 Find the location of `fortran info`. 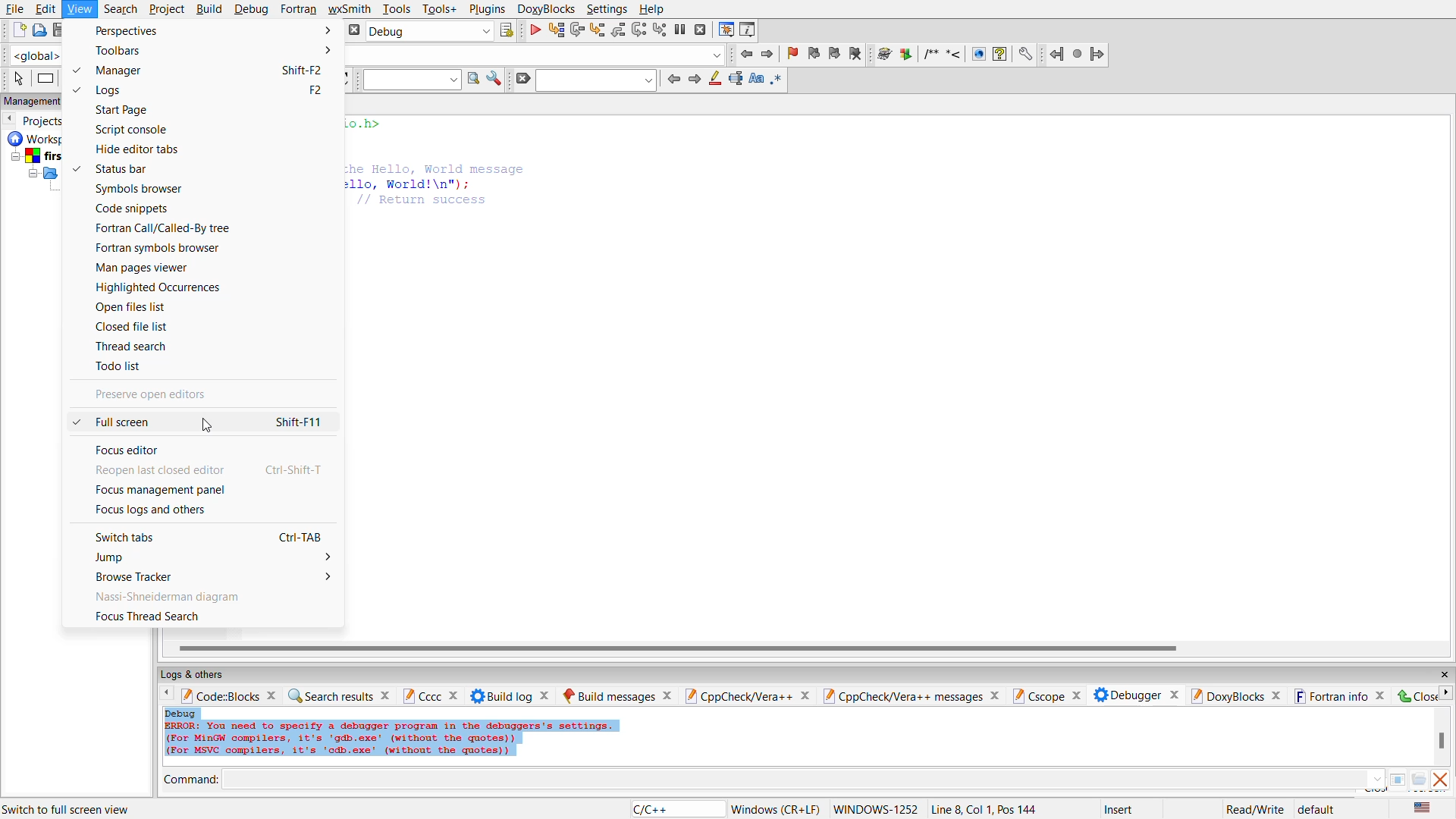

fortran info is located at coordinates (1340, 693).